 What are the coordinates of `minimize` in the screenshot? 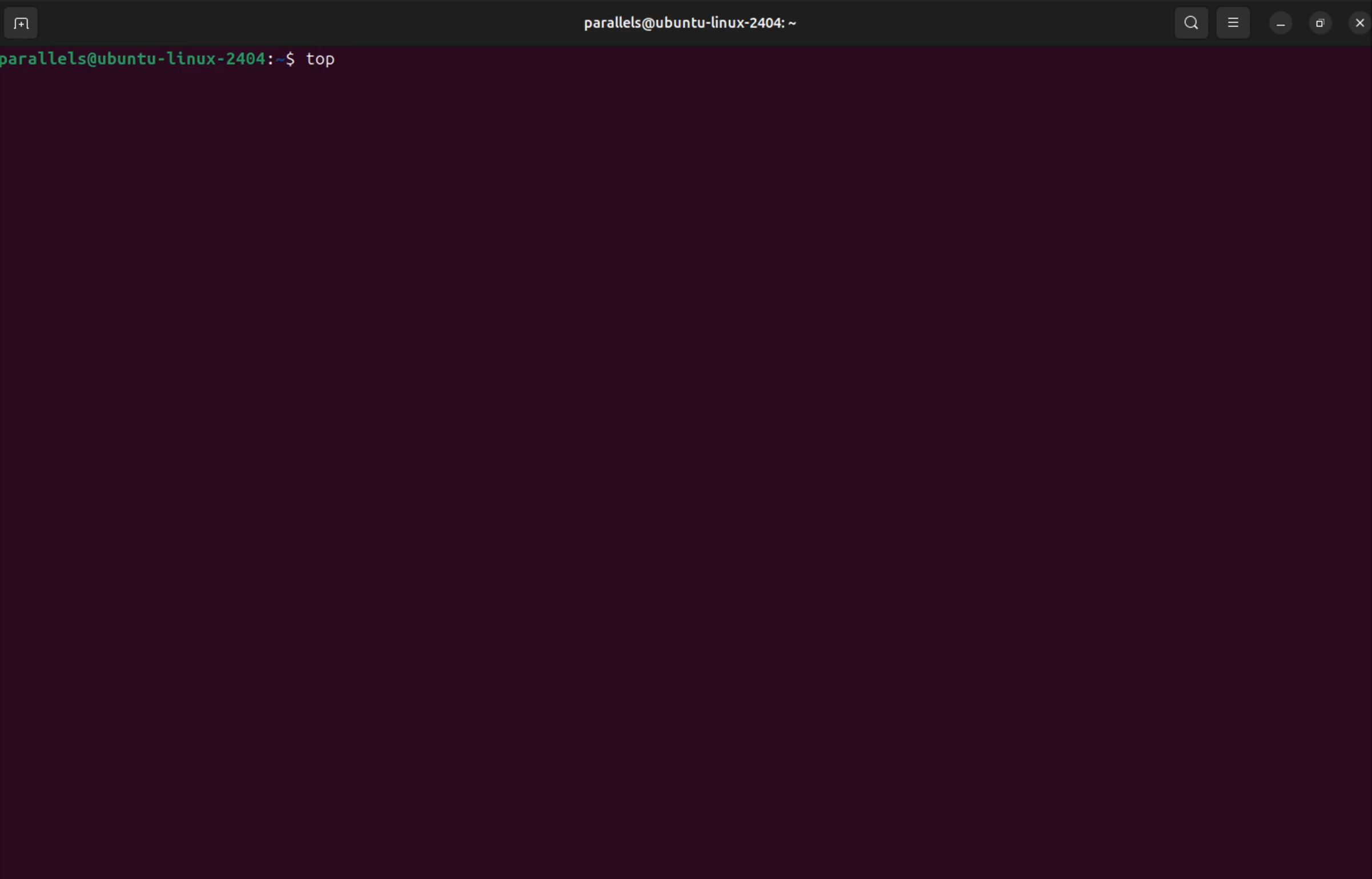 It's located at (1281, 23).